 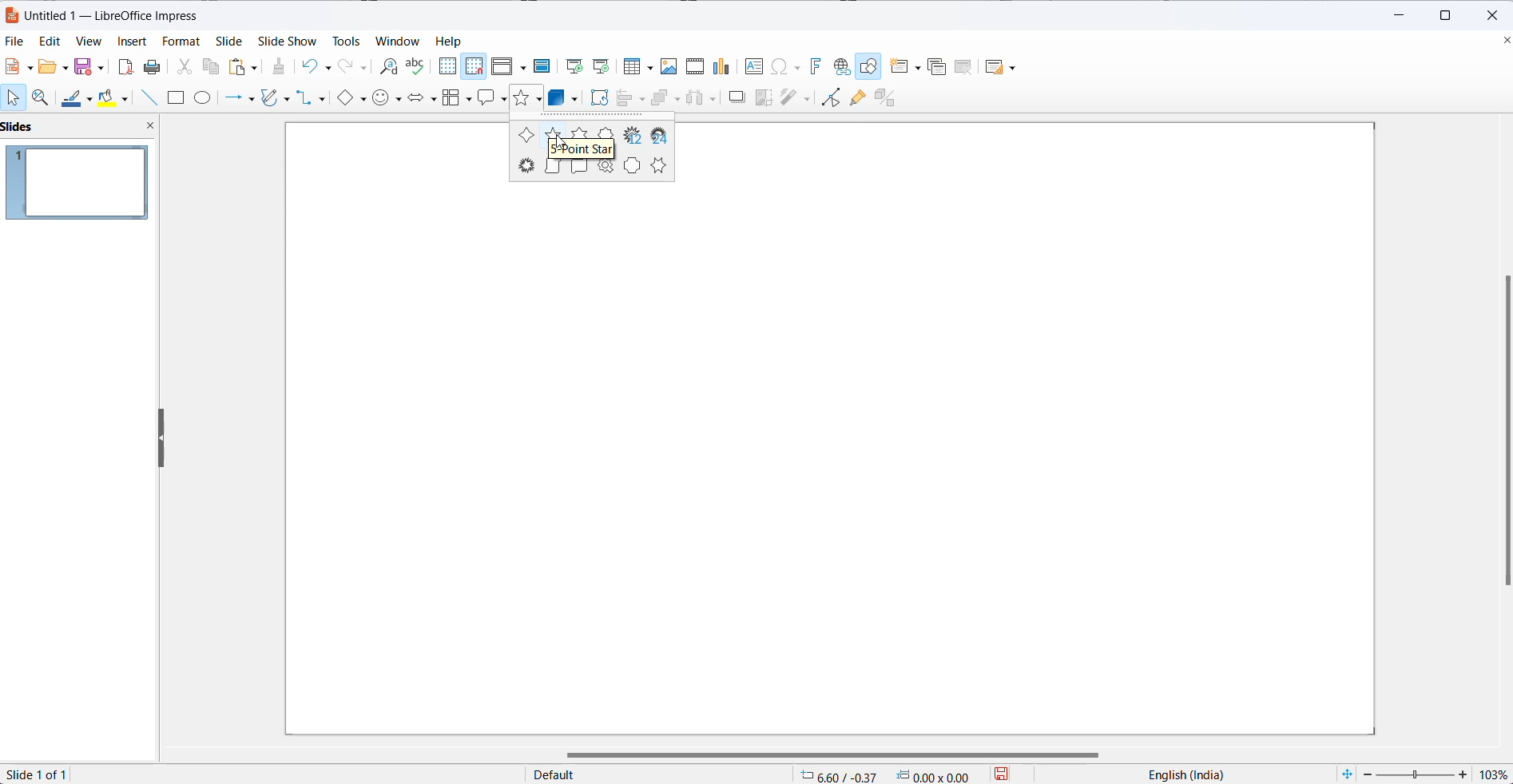 I want to click on scrollbar, so click(x=1498, y=434).